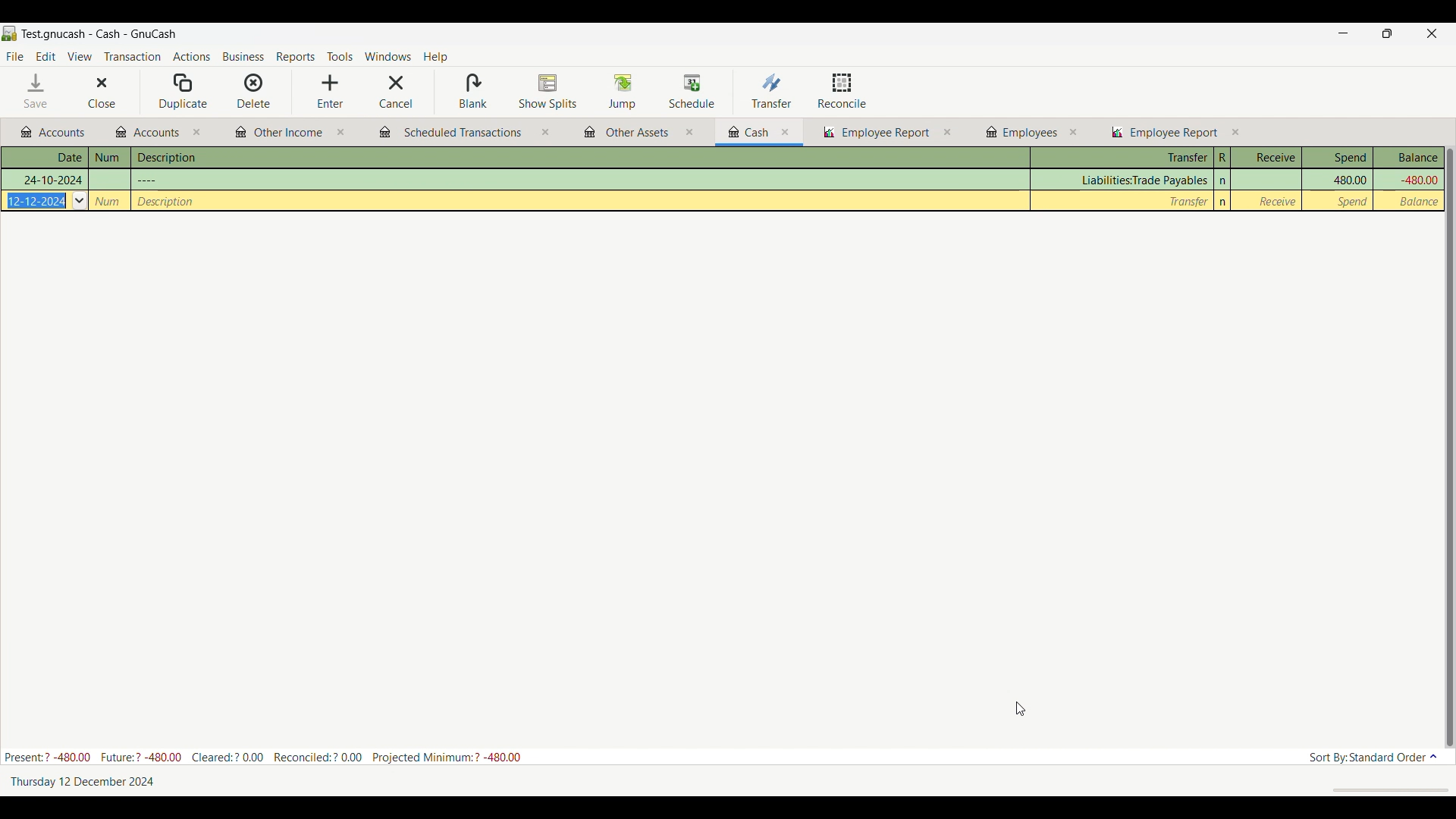 This screenshot has height=819, width=1456. I want to click on Close, so click(101, 92).